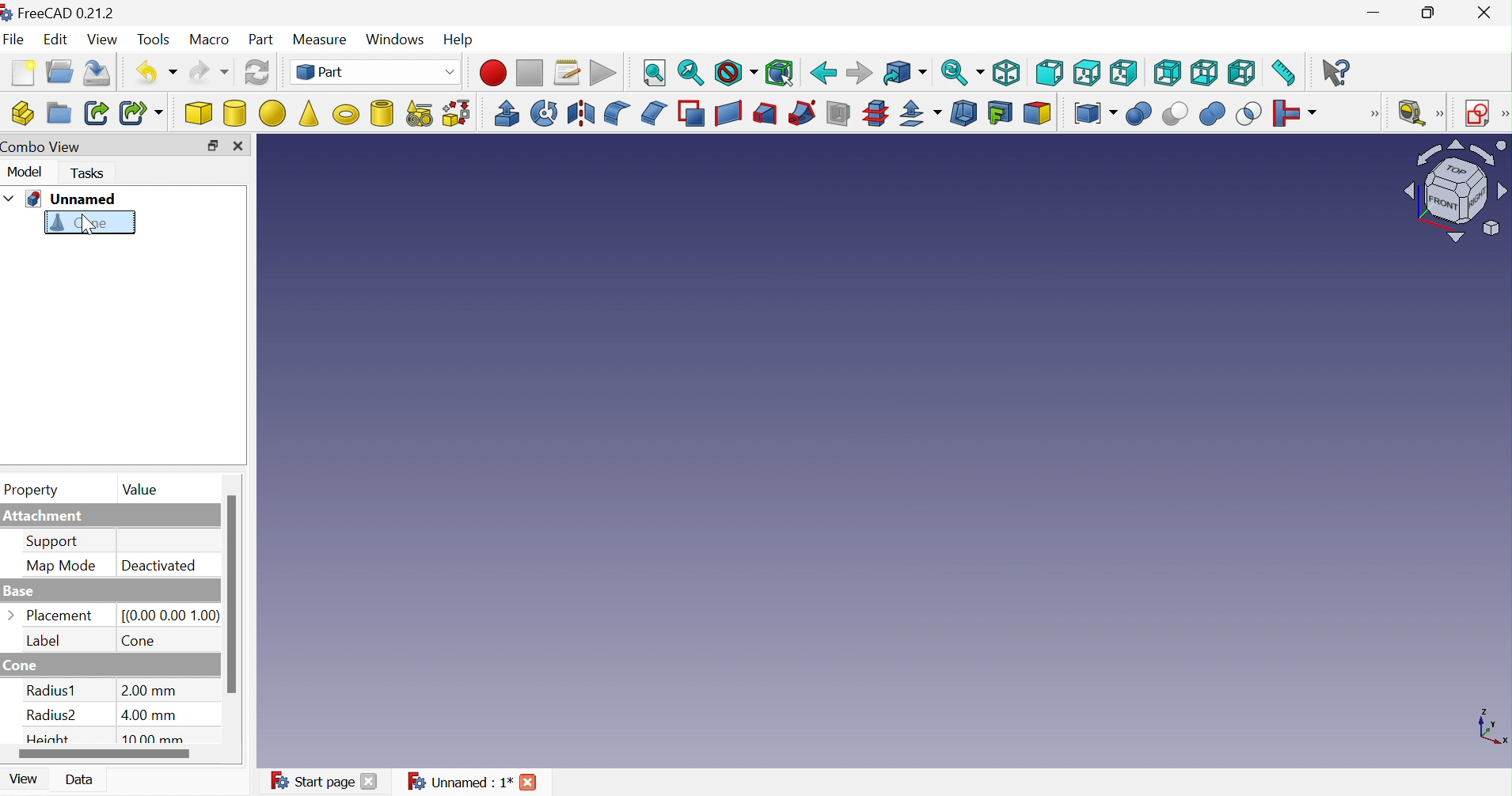  Describe the element at coordinates (157, 72) in the screenshot. I see `Undo` at that location.